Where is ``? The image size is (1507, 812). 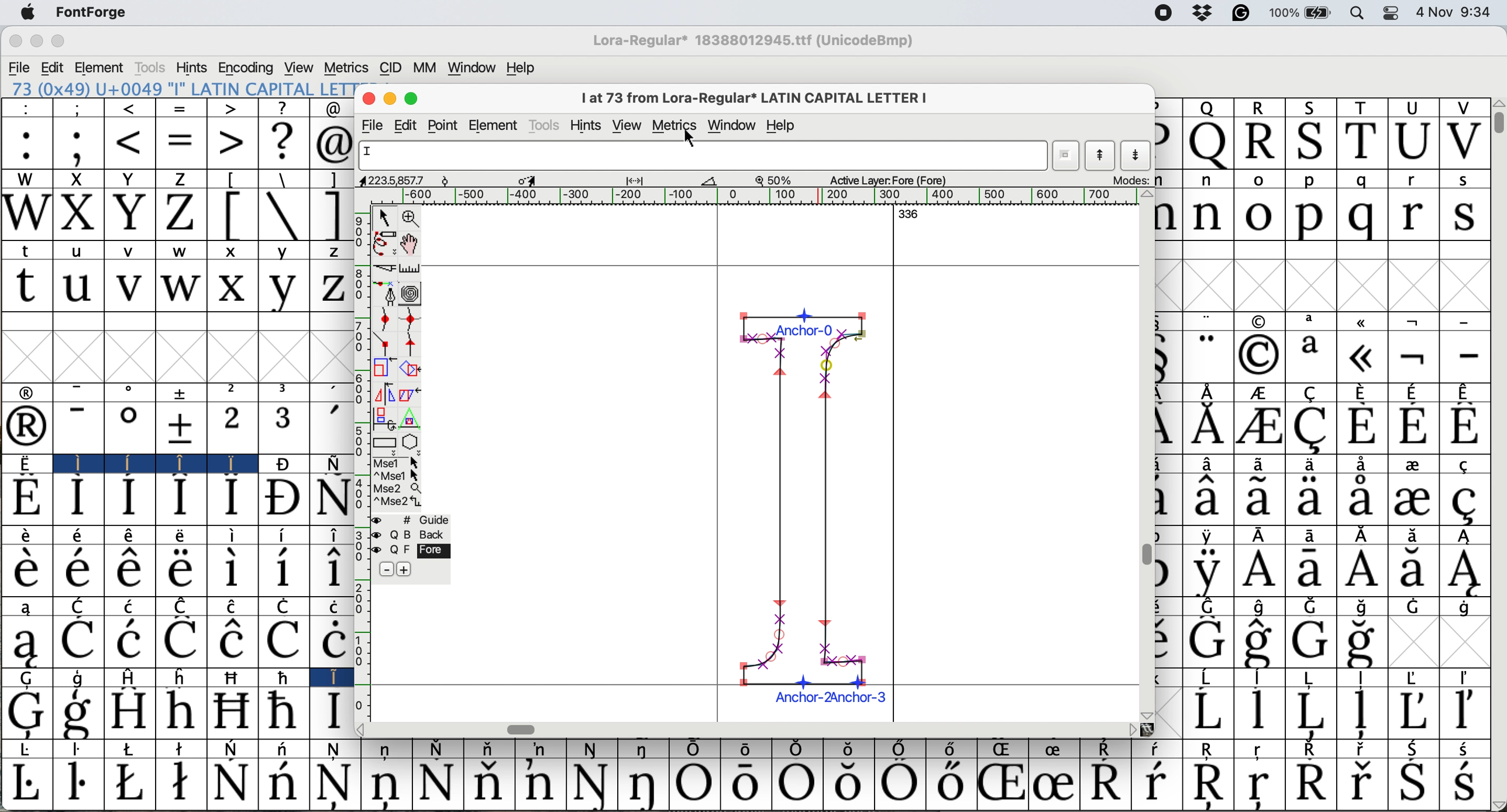
 is located at coordinates (1146, 195).